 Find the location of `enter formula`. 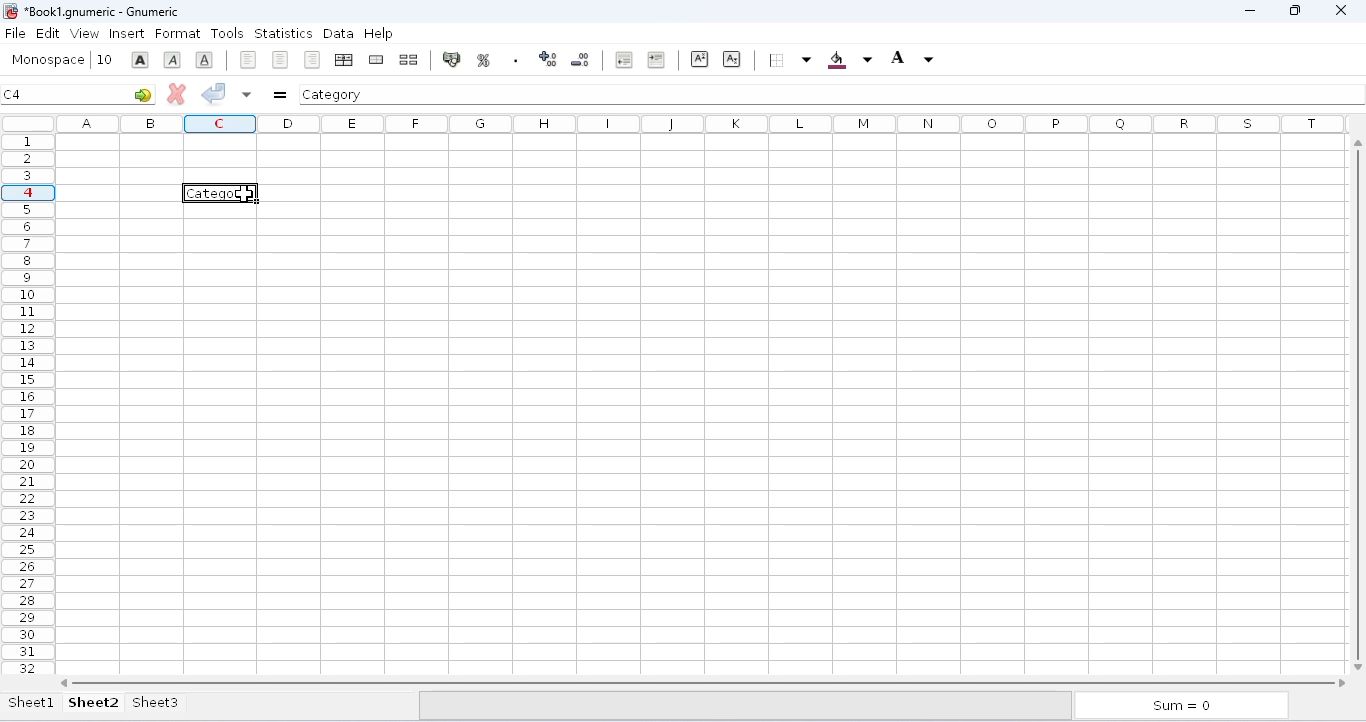

enter formula is located at coordinates (280, 95).